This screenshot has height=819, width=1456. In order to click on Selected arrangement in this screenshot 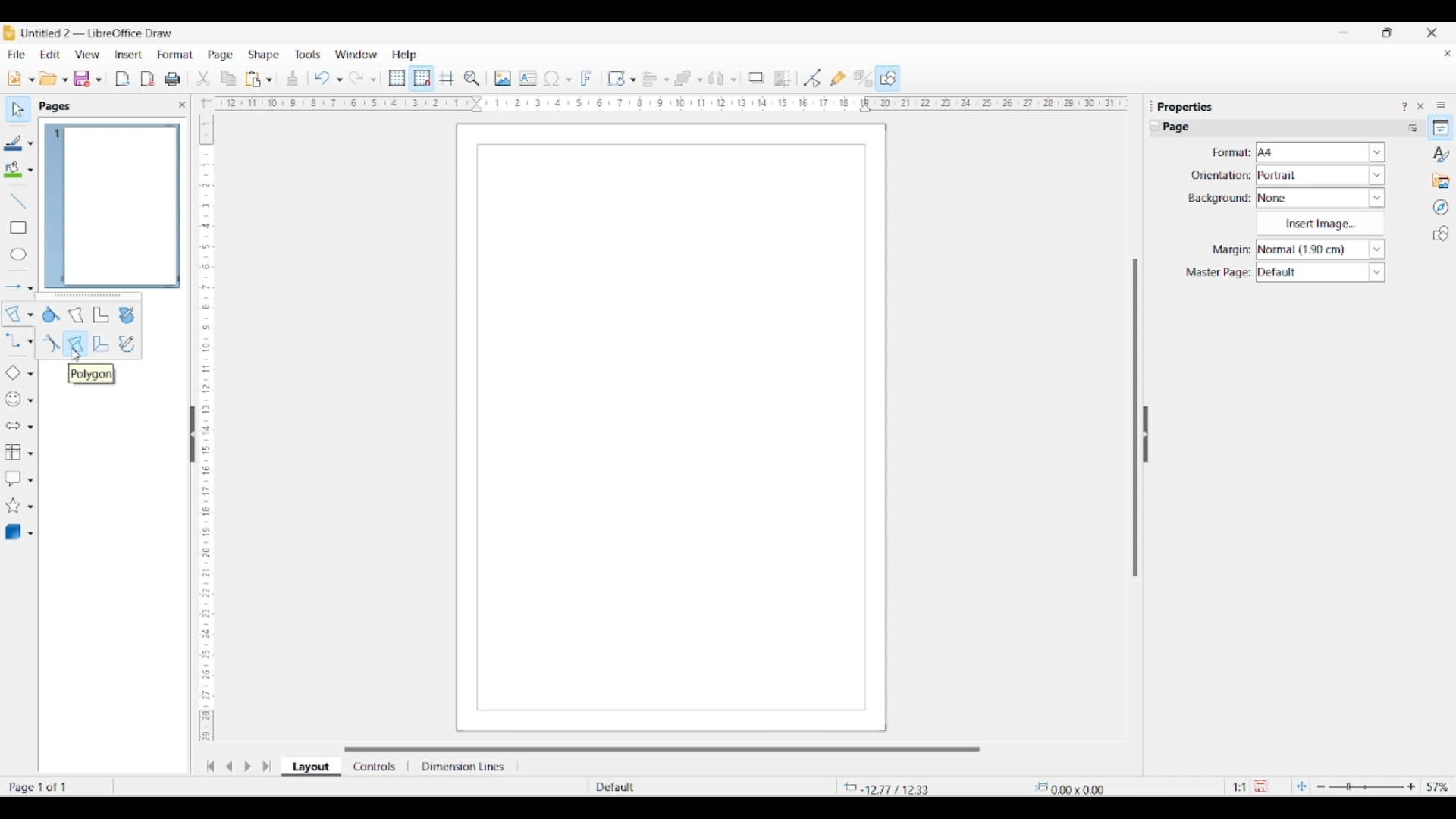, I will do `click(683, 79)`.